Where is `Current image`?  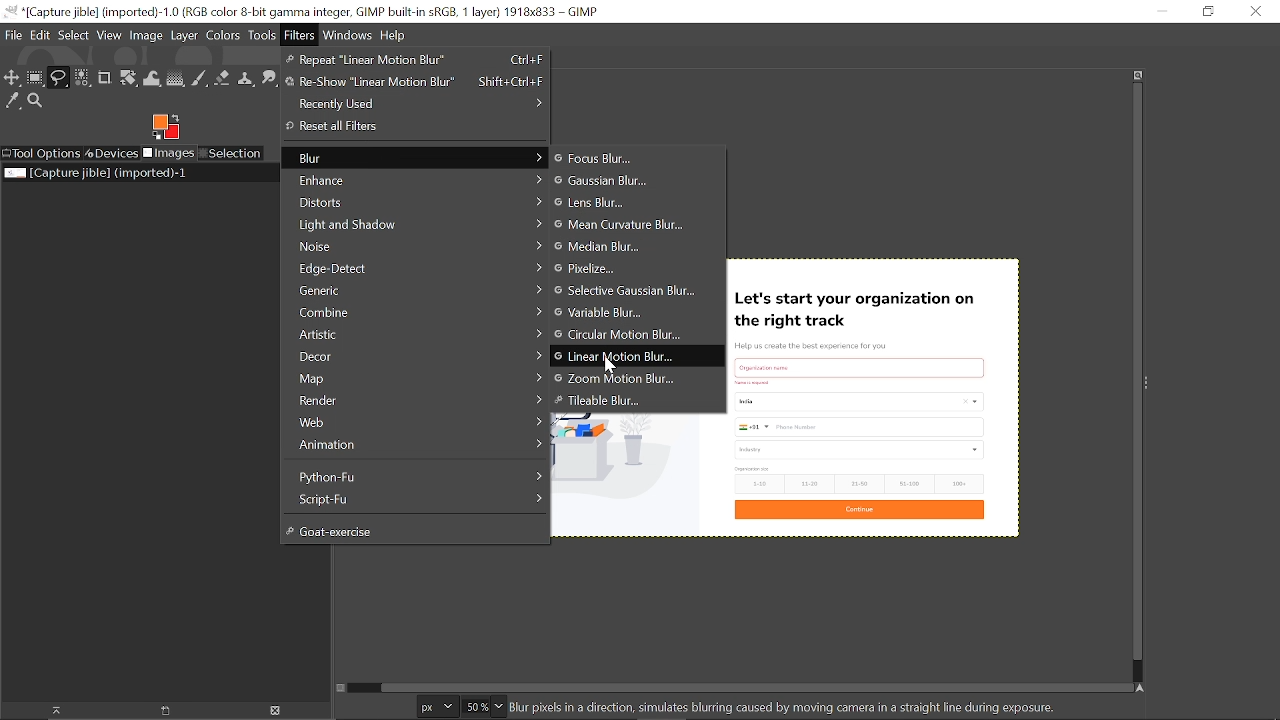 Current image is located at coordinates (874, 396).